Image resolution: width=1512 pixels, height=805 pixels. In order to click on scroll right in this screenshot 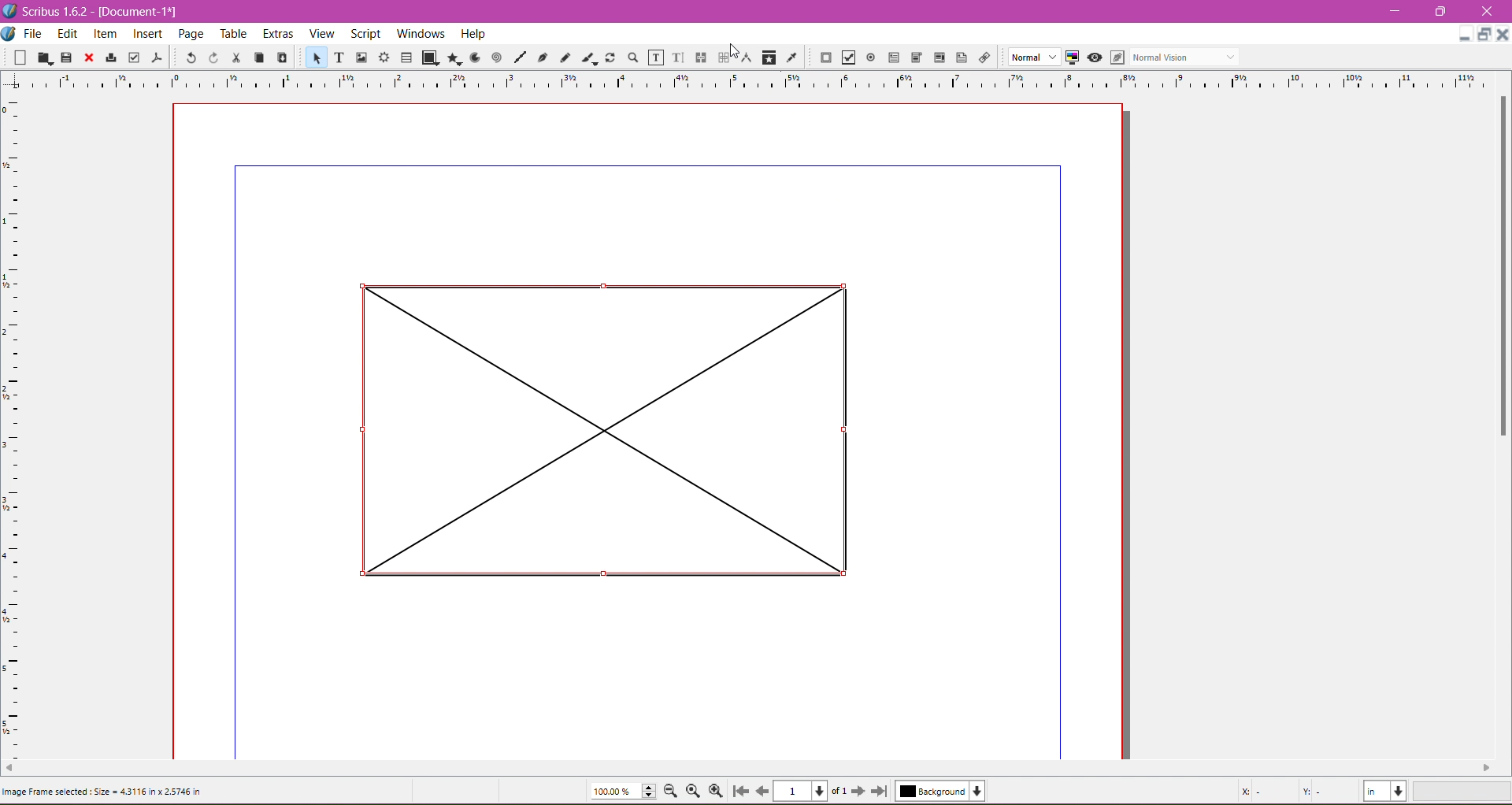, I will do `click(1493, 766)`.